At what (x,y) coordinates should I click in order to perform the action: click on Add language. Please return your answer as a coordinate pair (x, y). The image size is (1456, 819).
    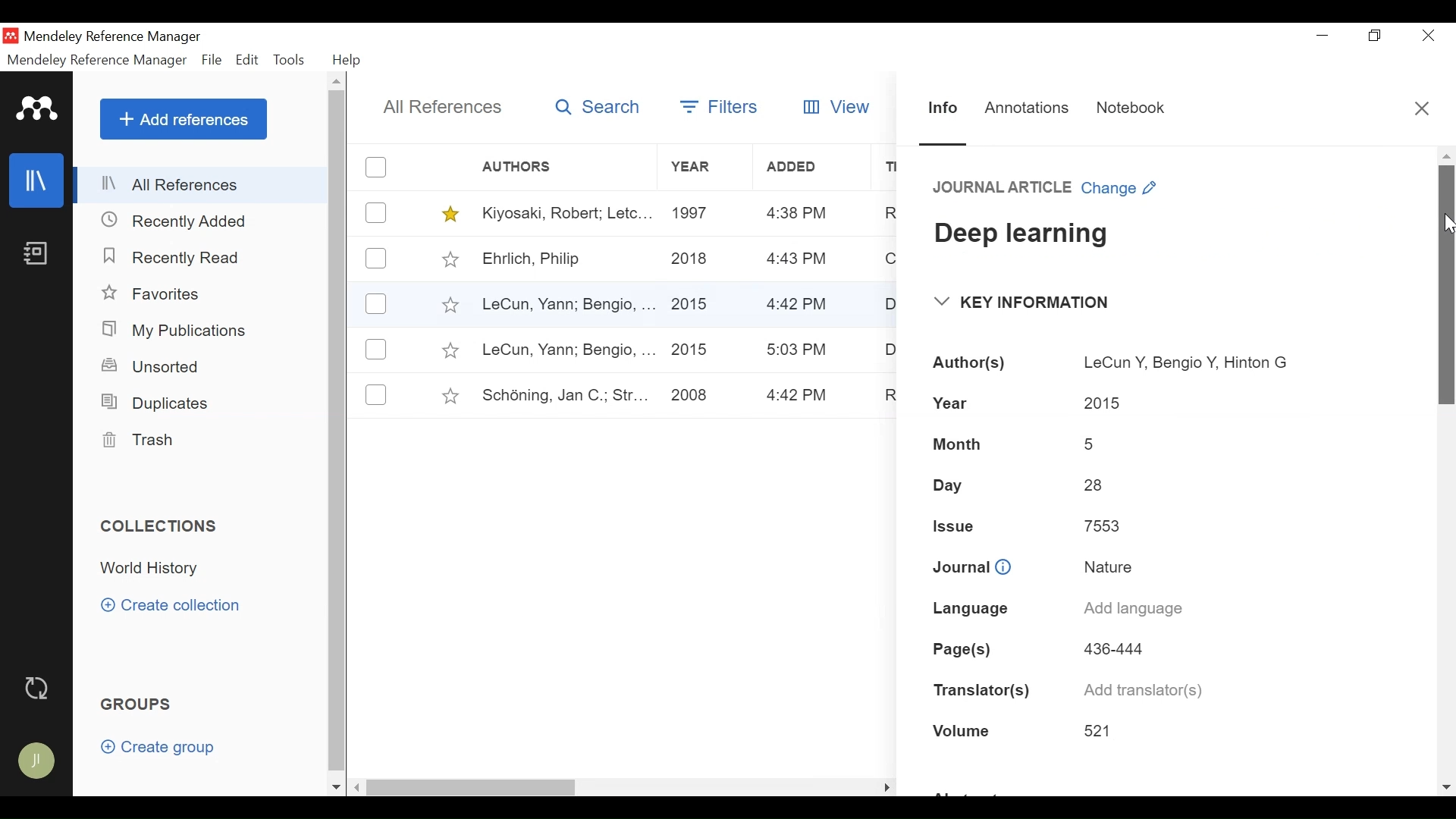
    Looking at the image, I should click on (1132, 610).